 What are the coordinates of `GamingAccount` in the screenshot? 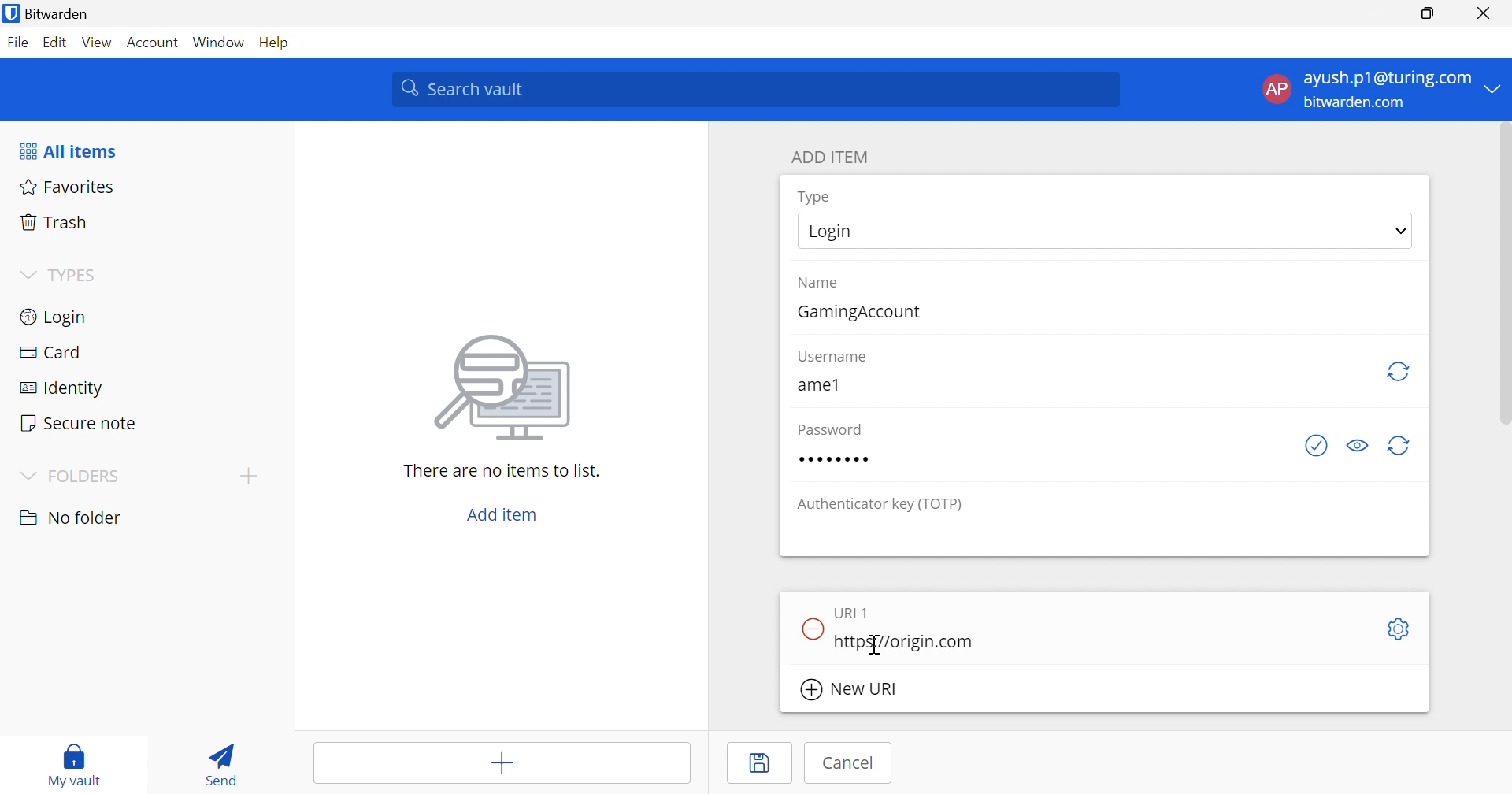 It's located at (863, 313).